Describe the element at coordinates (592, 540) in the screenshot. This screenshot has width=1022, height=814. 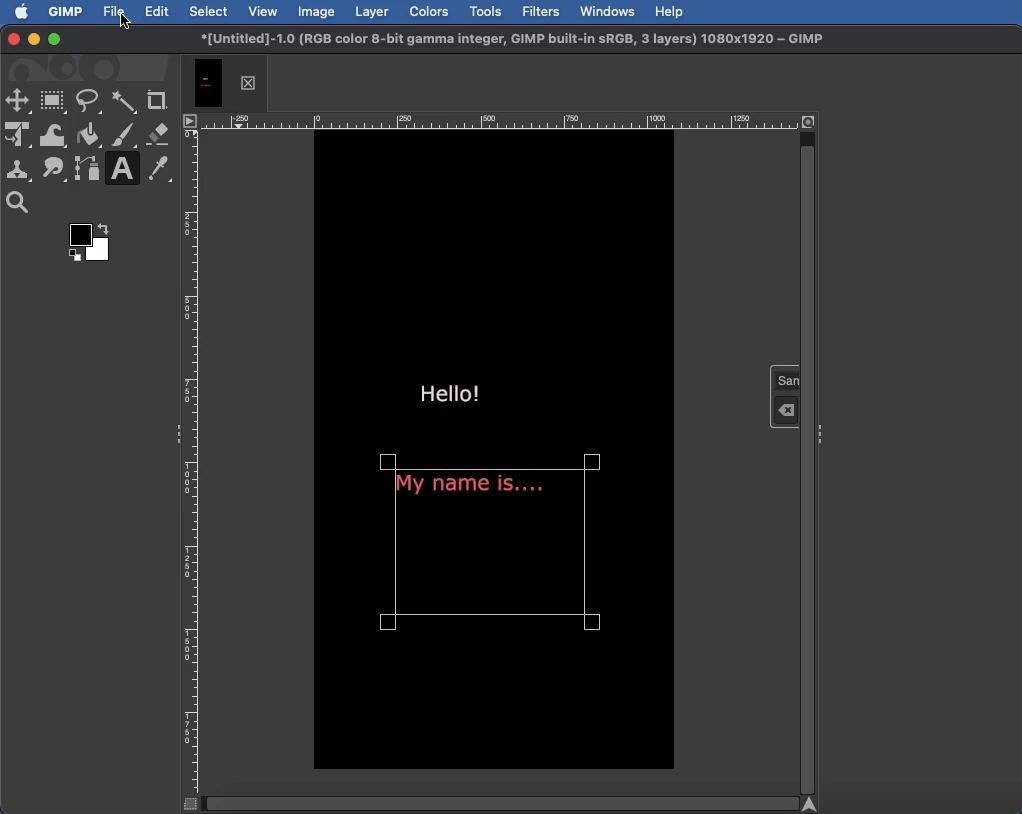
I see `Text selector` at that location.